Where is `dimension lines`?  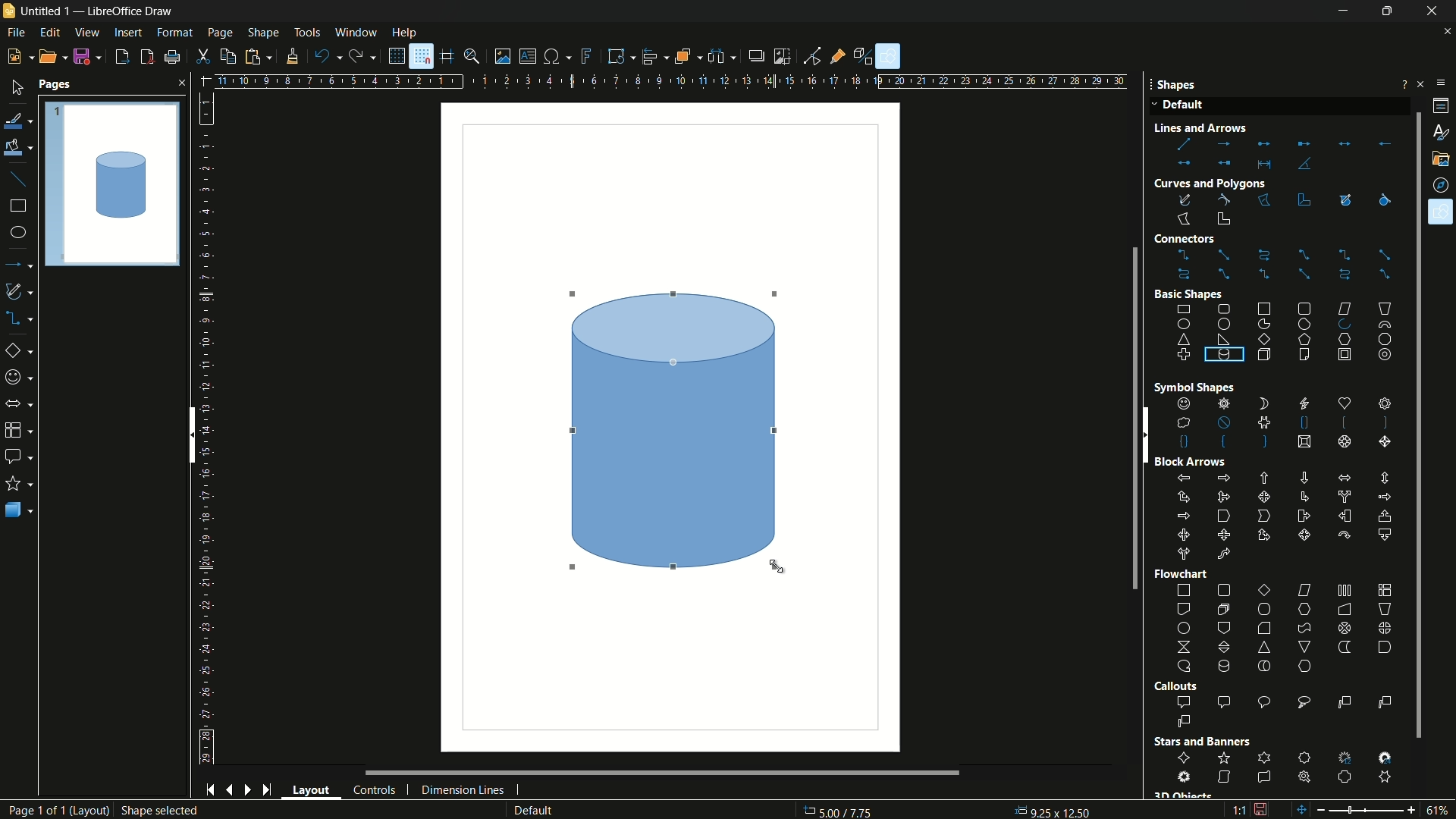
dimension lines is located at coordinates (463, 792).